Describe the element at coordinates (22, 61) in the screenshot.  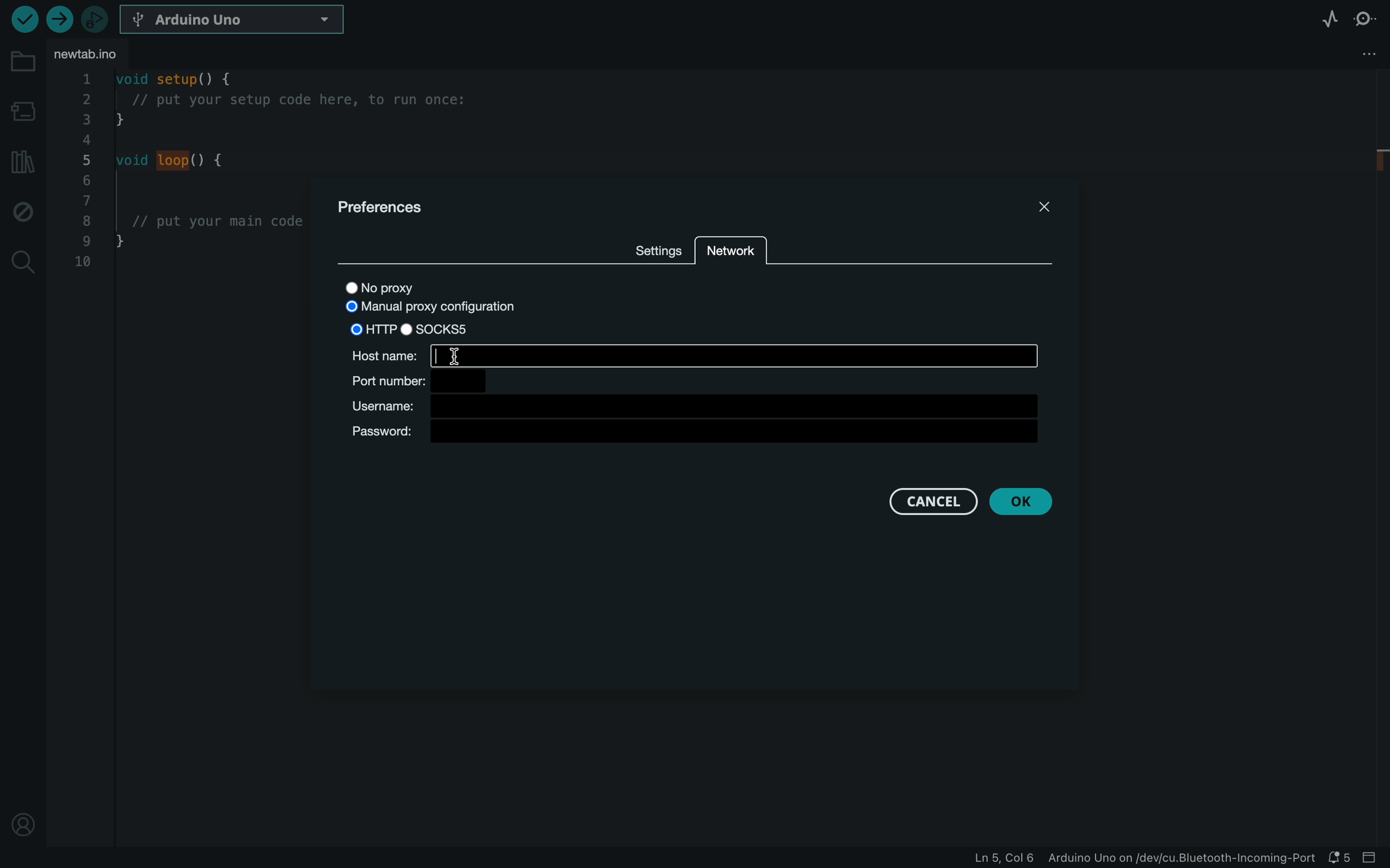
I see `folder` at that location.